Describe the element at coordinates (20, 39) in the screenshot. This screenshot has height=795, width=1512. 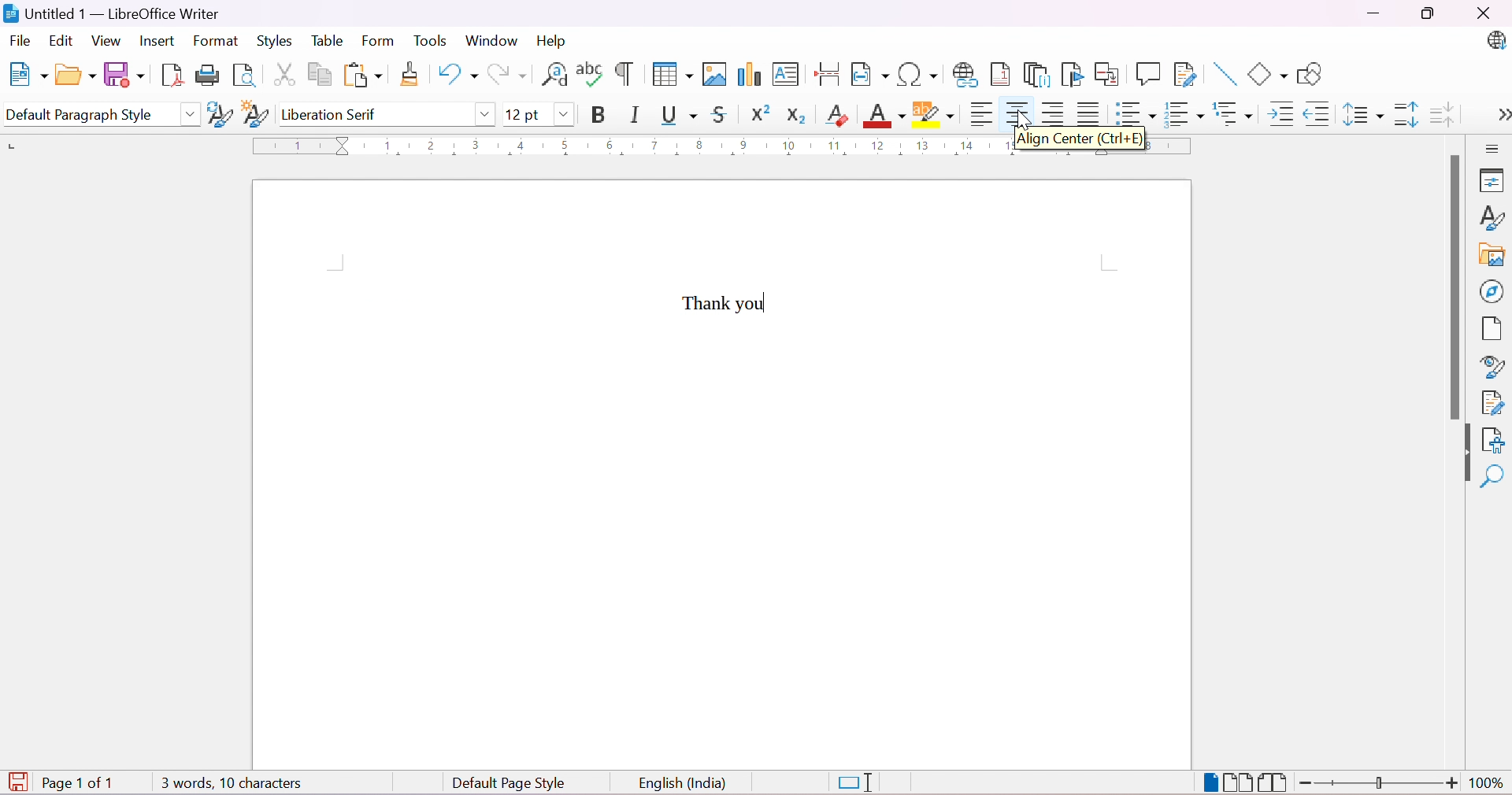
I see `File` at that location.